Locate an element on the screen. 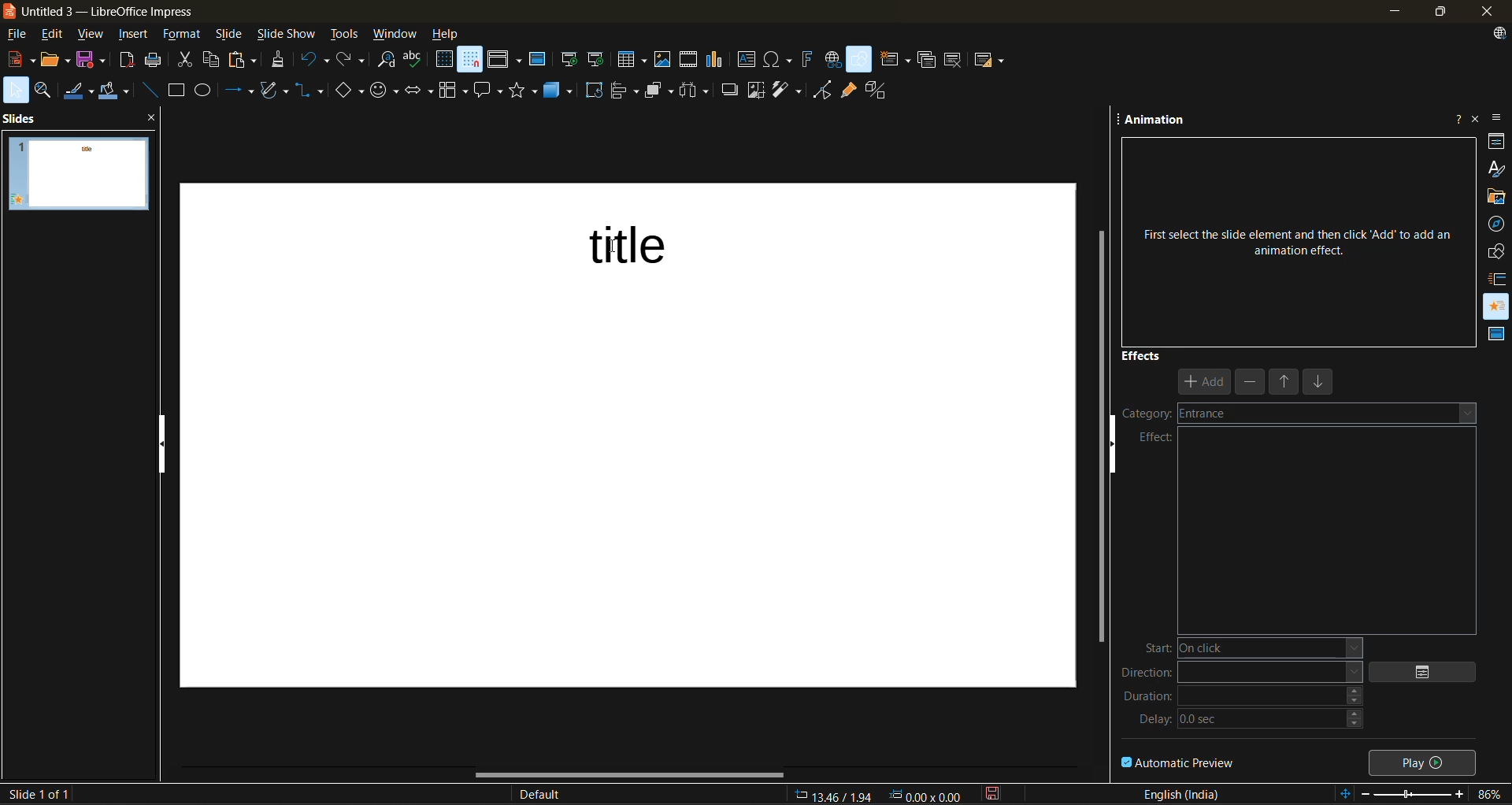 The width and height of the screenshot is (1512, 805). view is located at coordinates (94, 35).